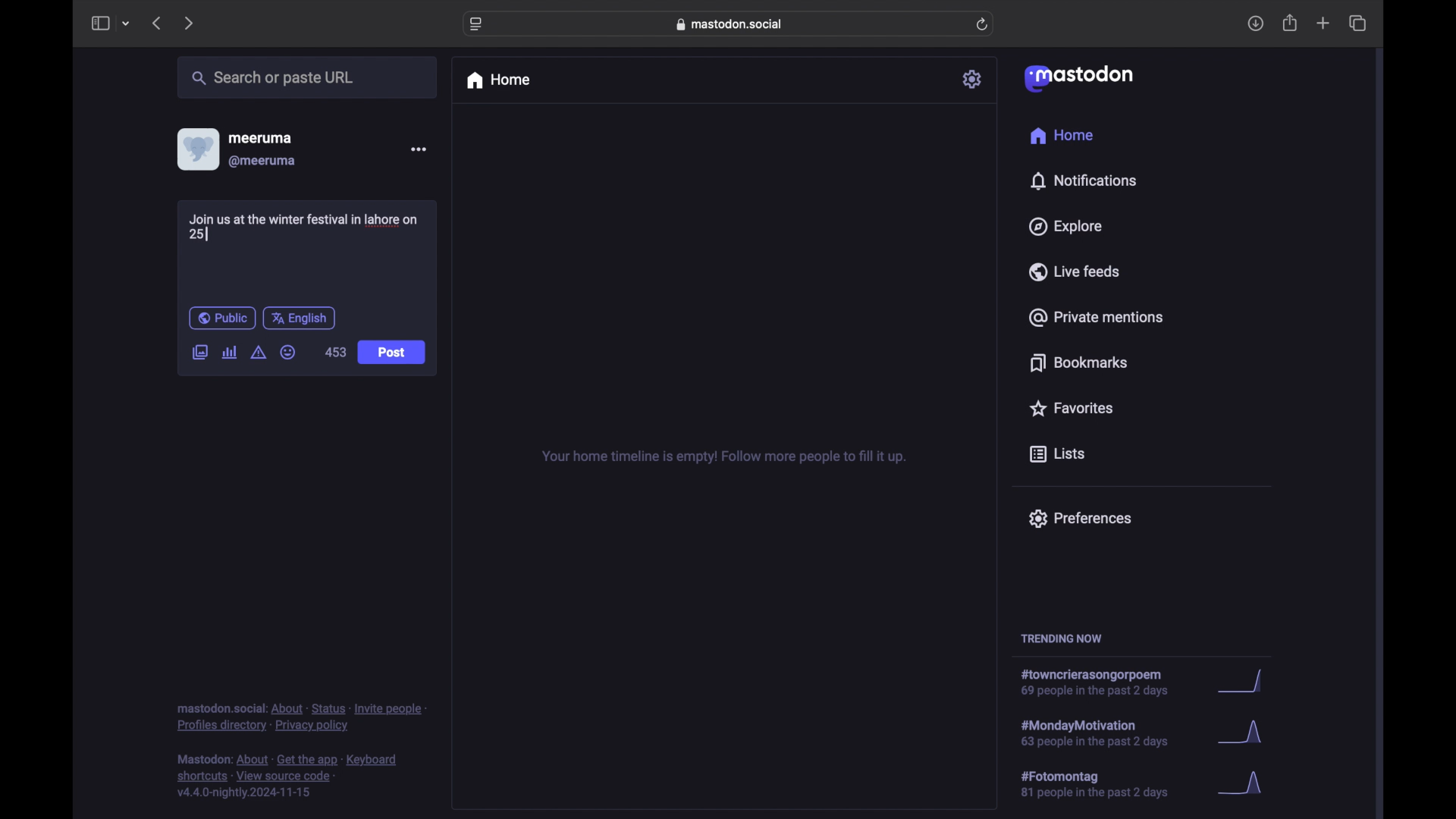  I want to click on tab group picker, so click(126, 24).